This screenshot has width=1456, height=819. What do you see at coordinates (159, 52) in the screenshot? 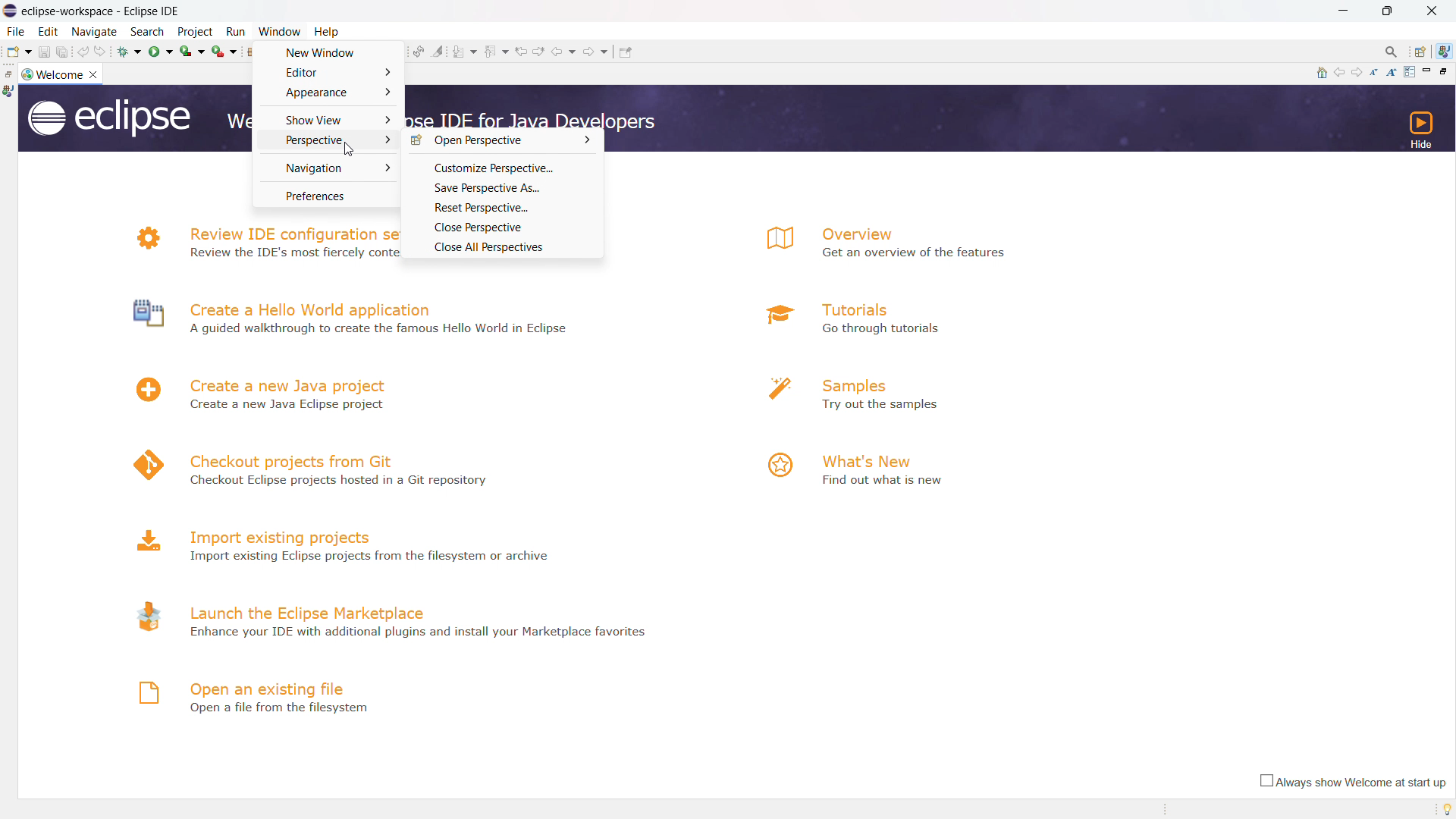
I see `run` at bounding box center [159, 52].